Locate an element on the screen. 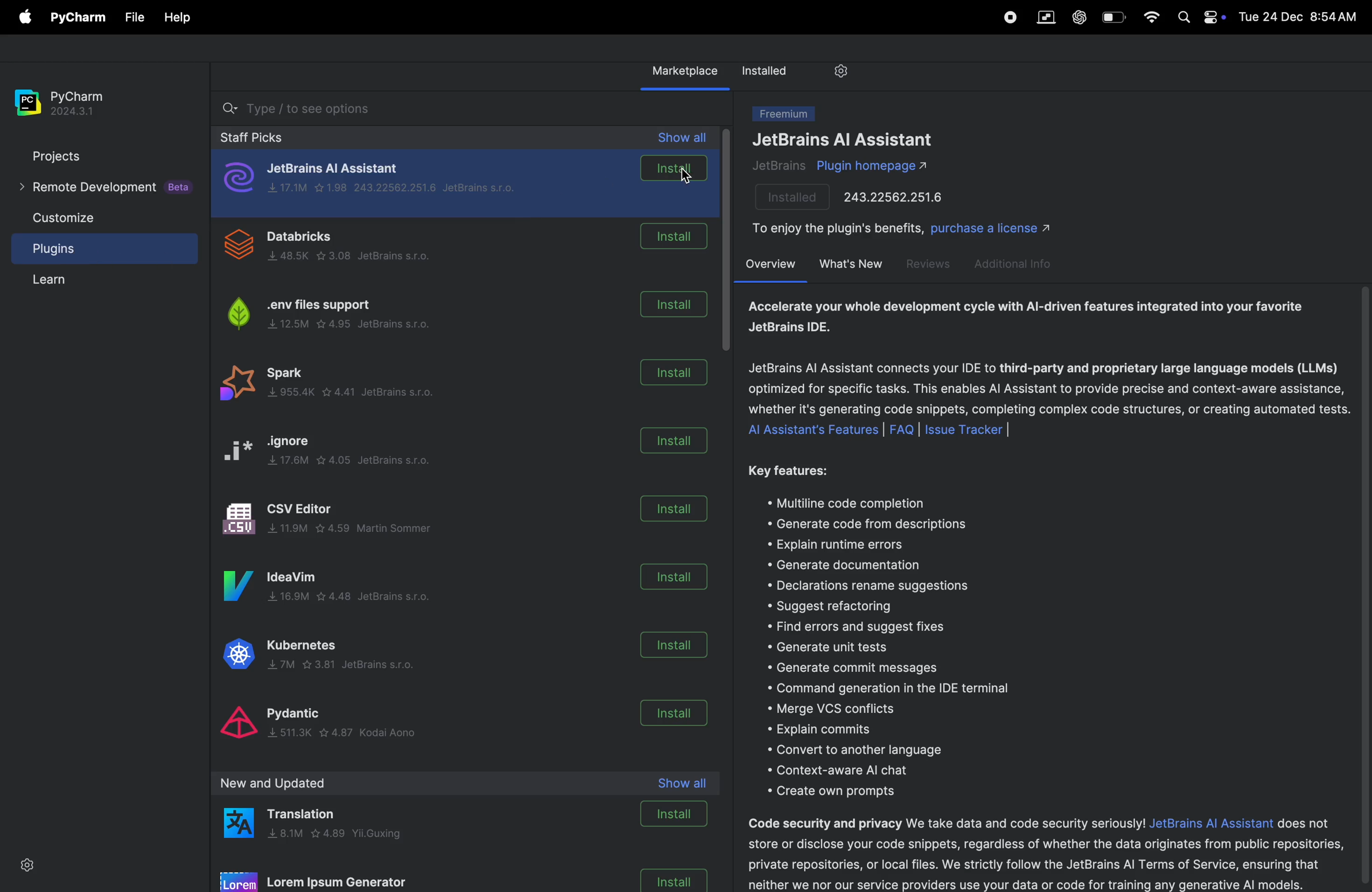 This screenshot has height=892, width=1372. learn is located at coordinates (70, 277).